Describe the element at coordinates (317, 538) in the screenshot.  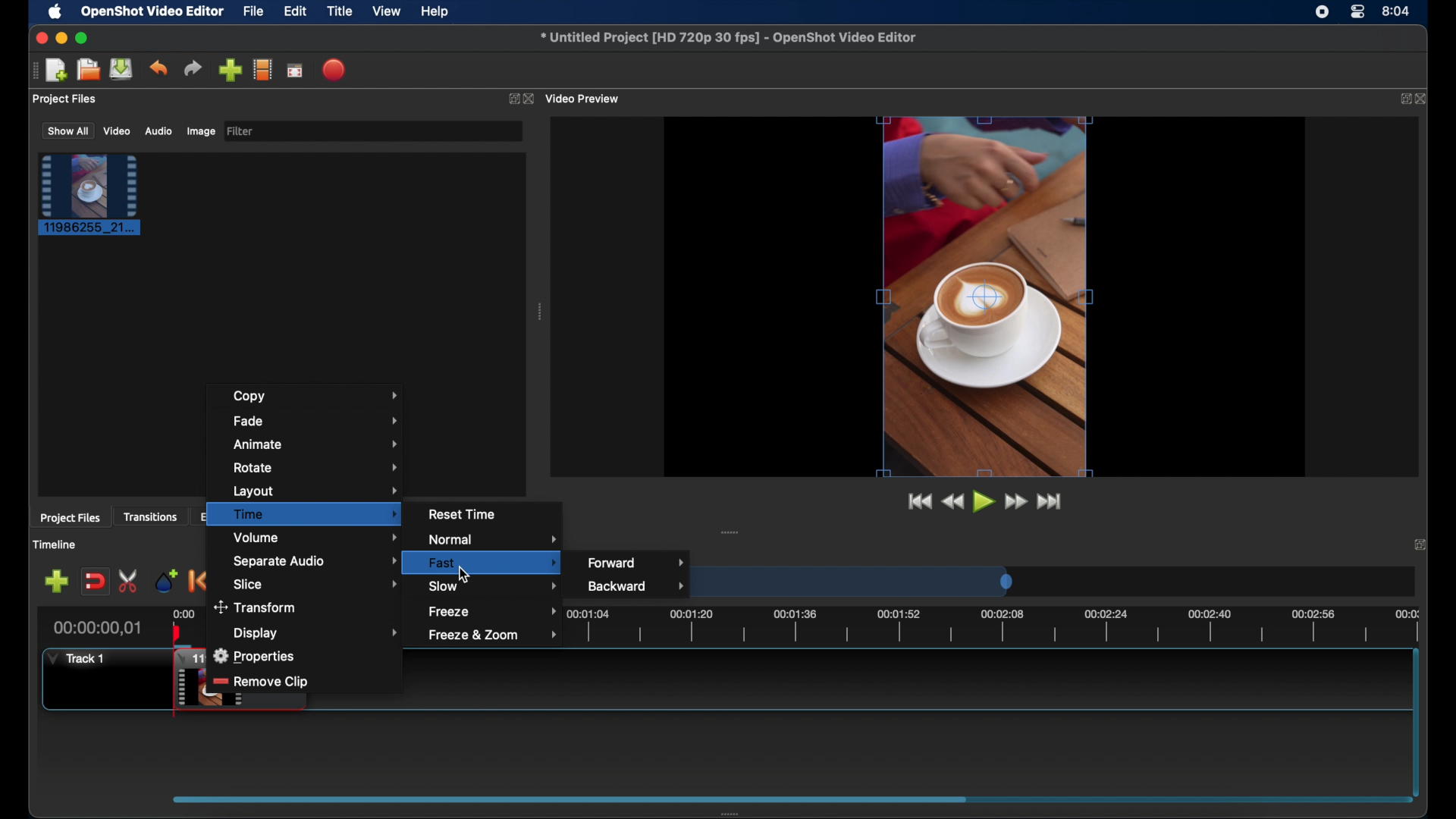
I see `volume  menu` at that location.